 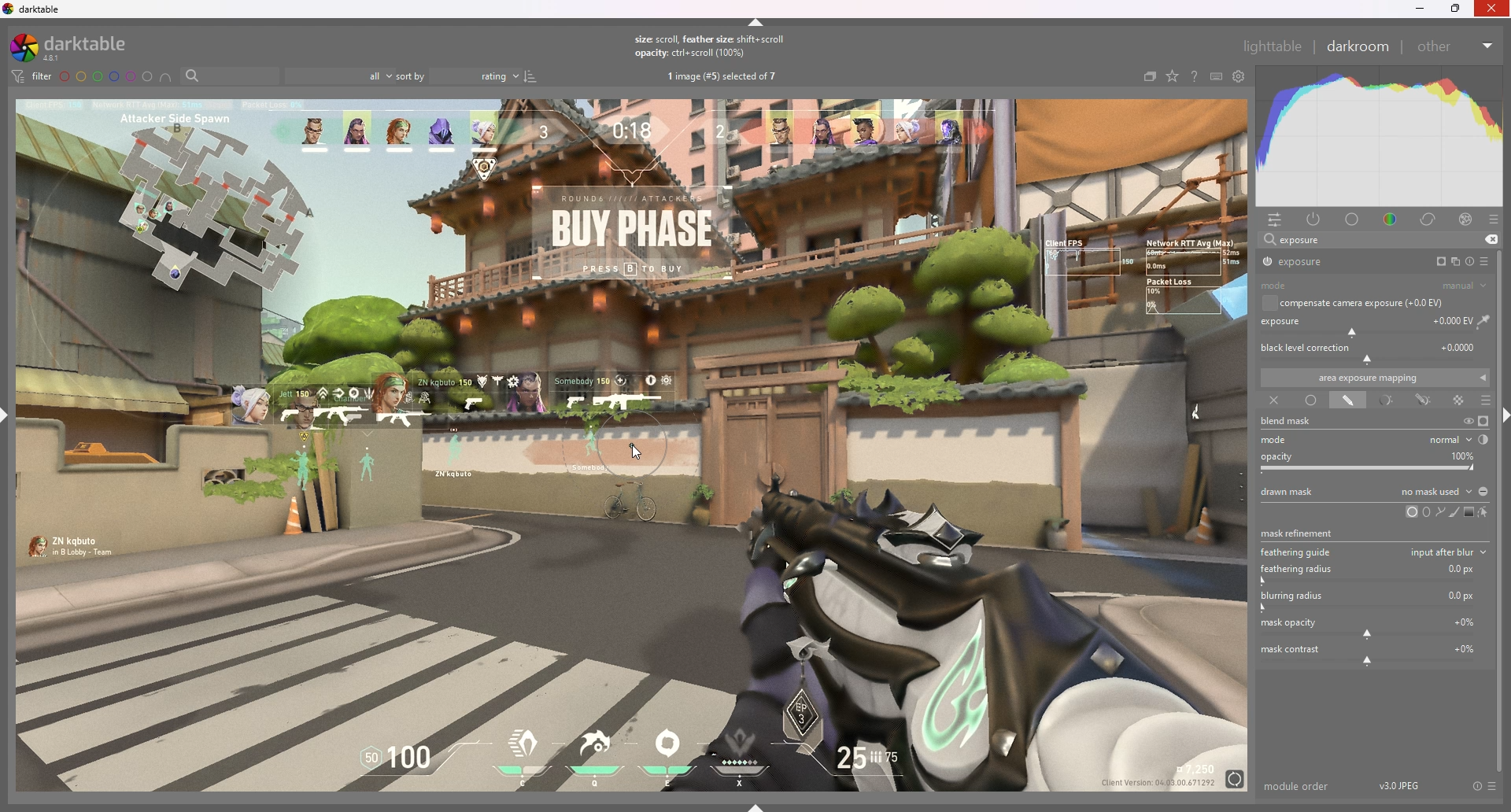 I want to click on filter by images rating, so click(x=340, y=76).